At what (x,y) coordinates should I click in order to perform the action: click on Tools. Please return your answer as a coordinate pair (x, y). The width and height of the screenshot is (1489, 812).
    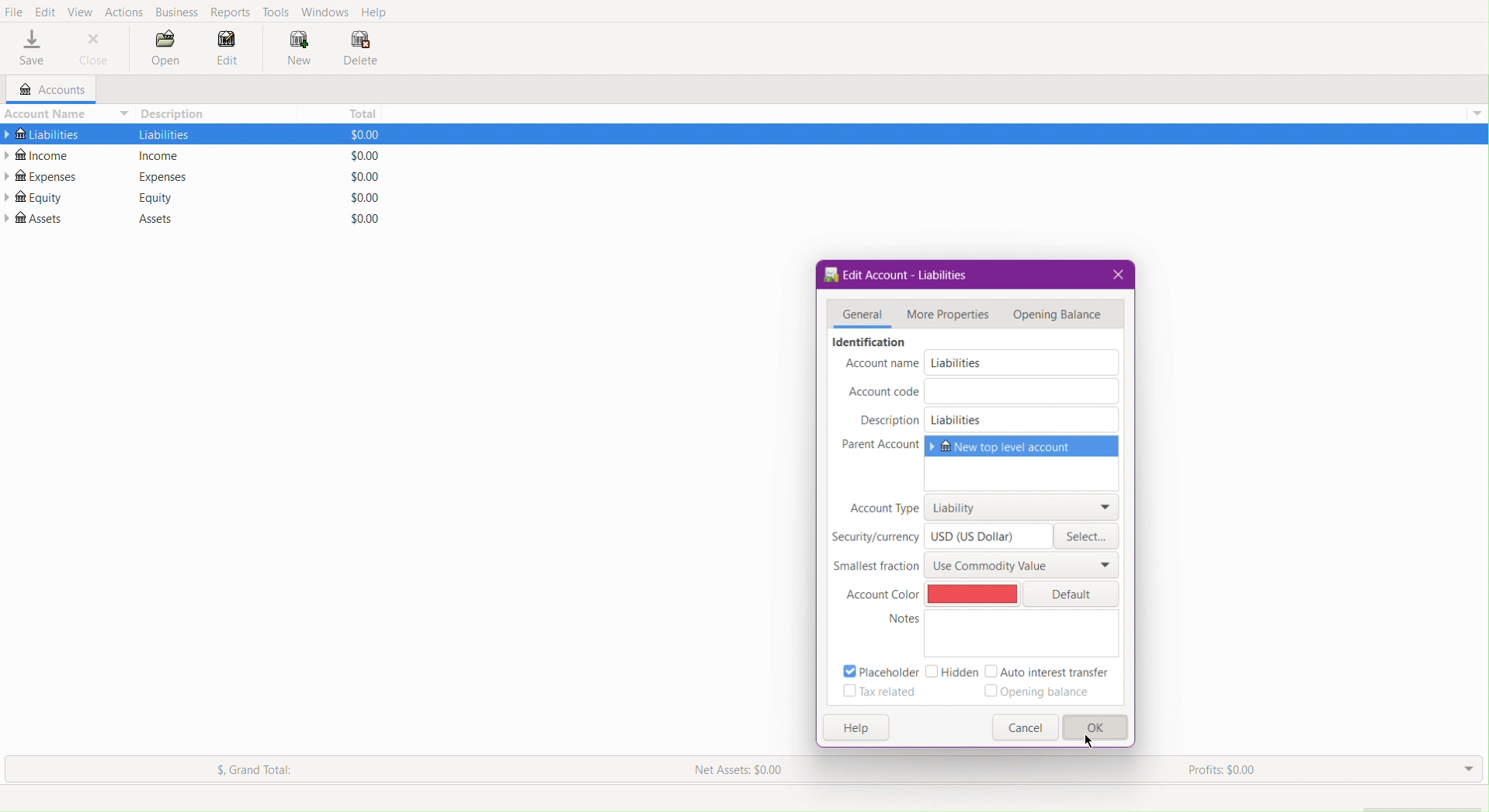
    Looking at the image, I should click on (277, 11).